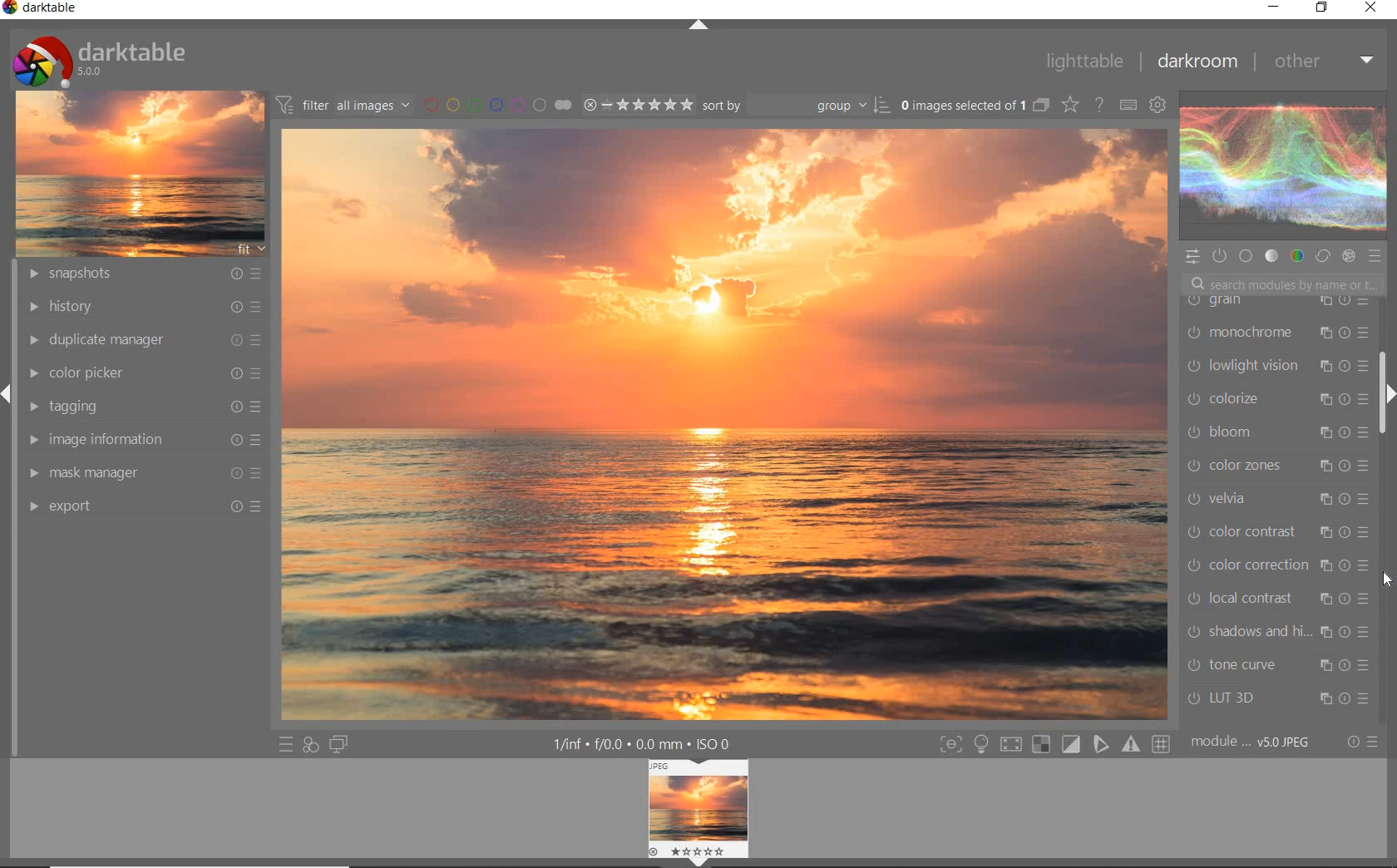 This screenshot has width=1397, height=868. Describe the element at coordinates (645, 744) in the screenshot. I see `OTHER INTERFACE DETAIL` at that location.